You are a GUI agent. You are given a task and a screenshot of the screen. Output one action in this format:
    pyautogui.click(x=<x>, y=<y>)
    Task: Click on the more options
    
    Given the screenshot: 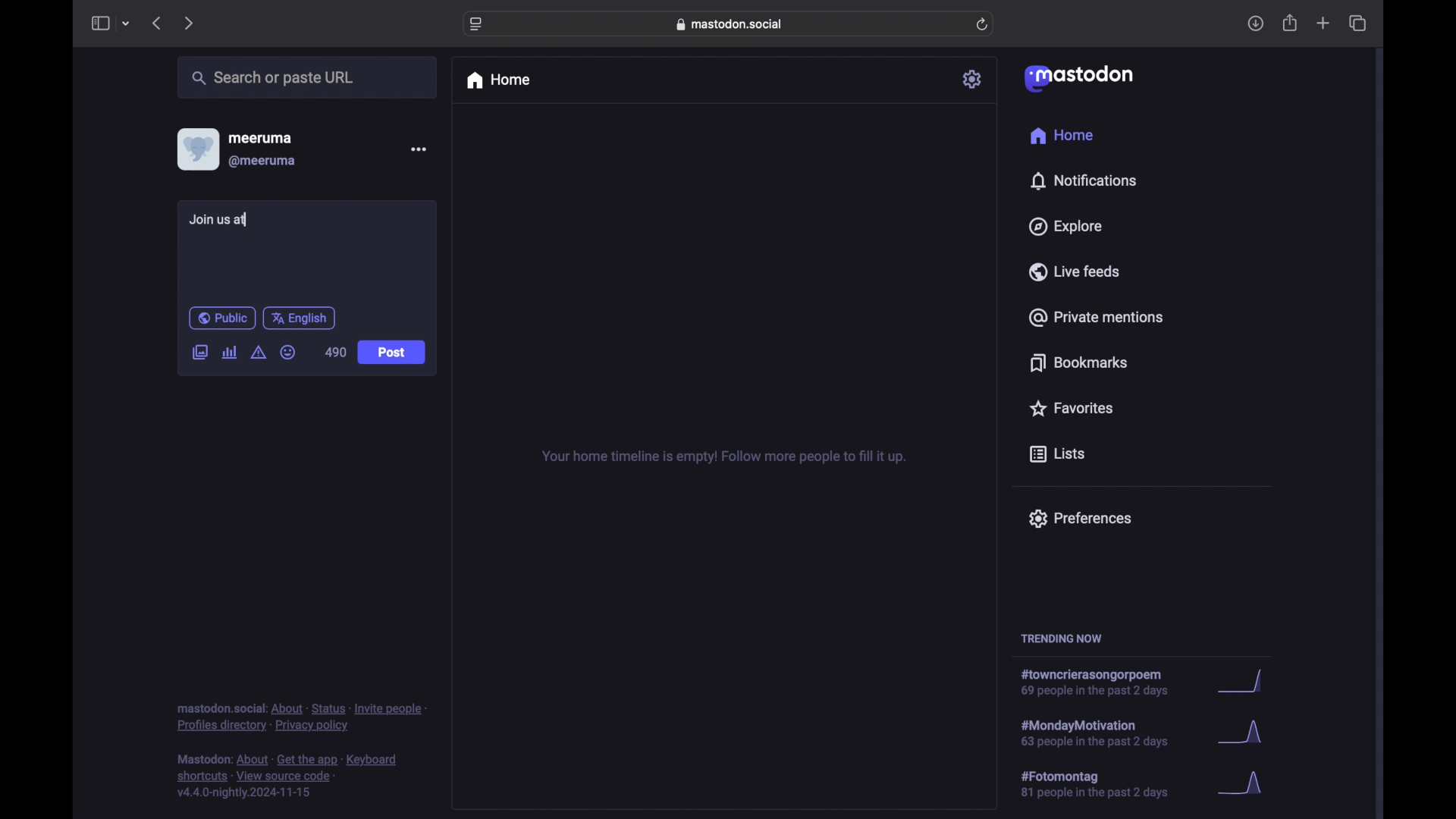 What is the action you would take?
    pyautogui.click(x=419, y=149)
    